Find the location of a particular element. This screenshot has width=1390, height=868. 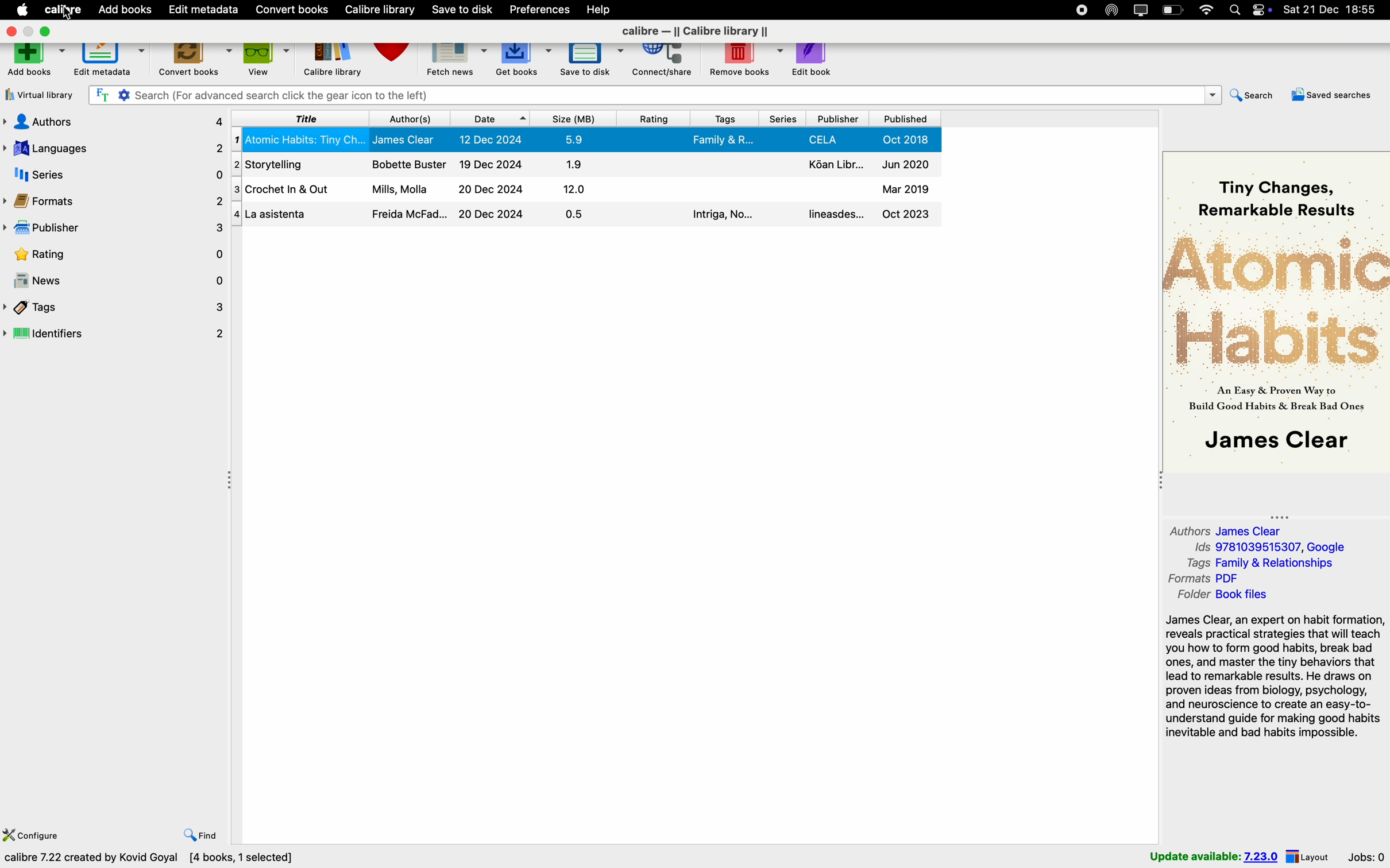

add books is located at coordinates (126, 9).